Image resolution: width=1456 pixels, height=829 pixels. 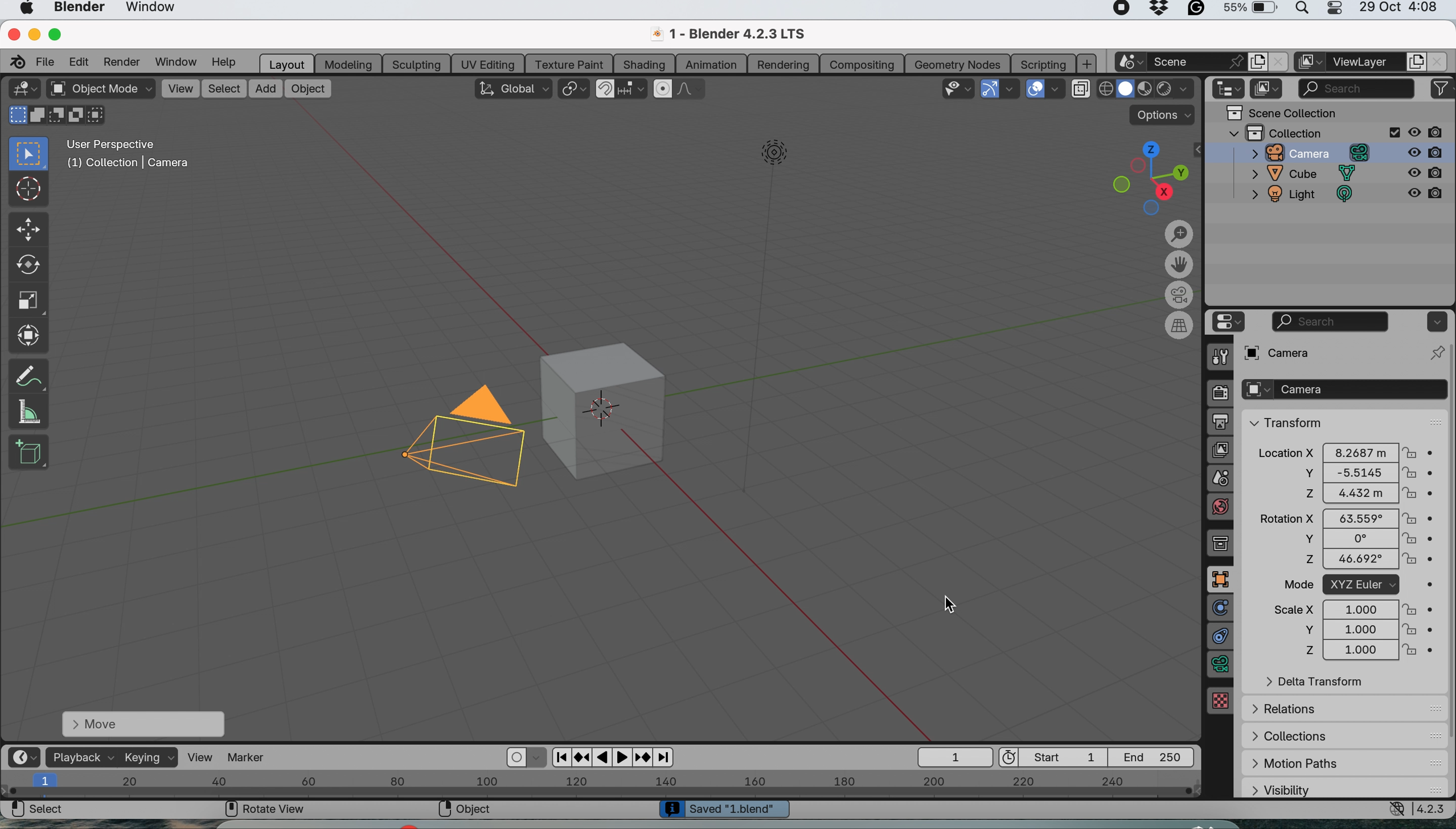 What do you see at coordinates (1224, 543) in the screenshot?
I see `collection` at bounding box center [1224, 543].